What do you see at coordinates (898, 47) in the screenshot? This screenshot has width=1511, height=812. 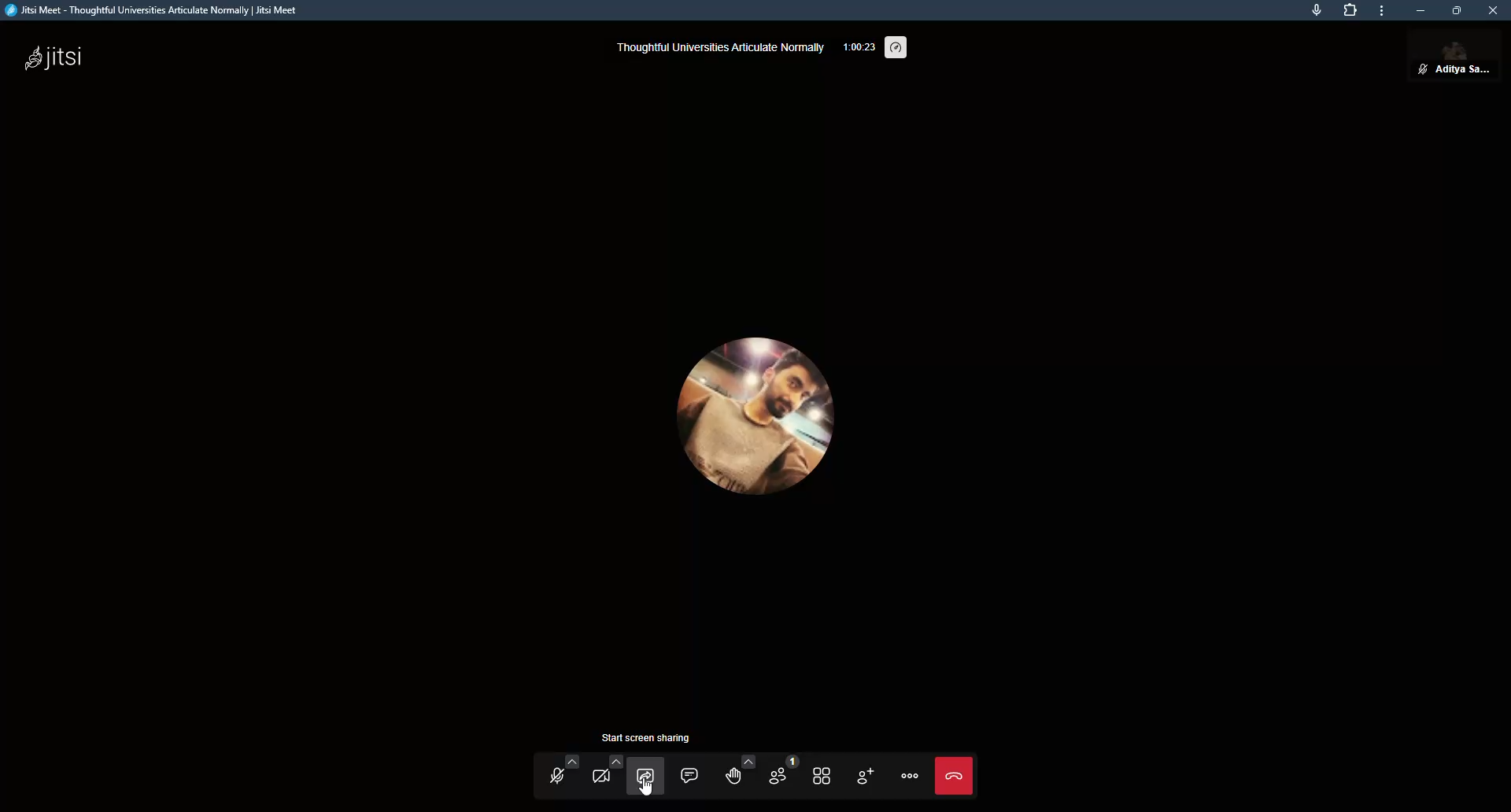 I see `performance settings` at bounding box center [898, 47].